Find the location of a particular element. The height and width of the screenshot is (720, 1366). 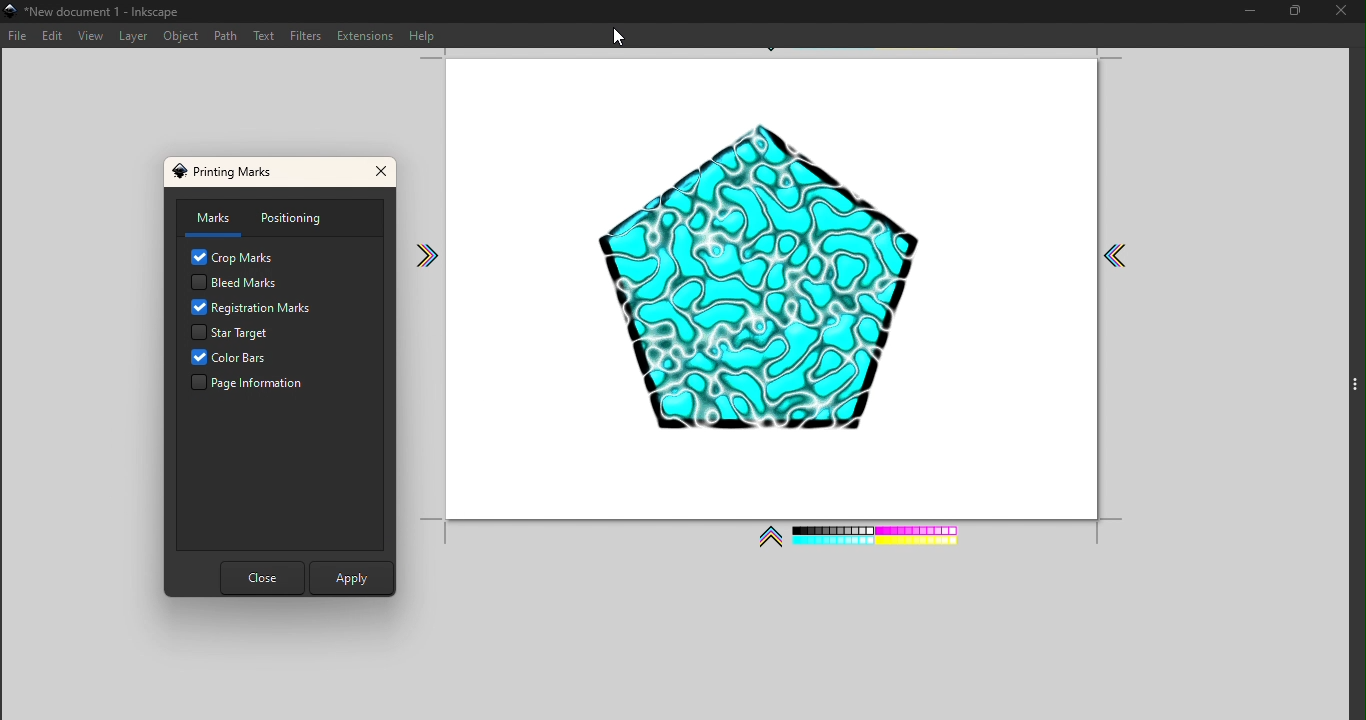

Color Bars is located at coordinates (250, 359).